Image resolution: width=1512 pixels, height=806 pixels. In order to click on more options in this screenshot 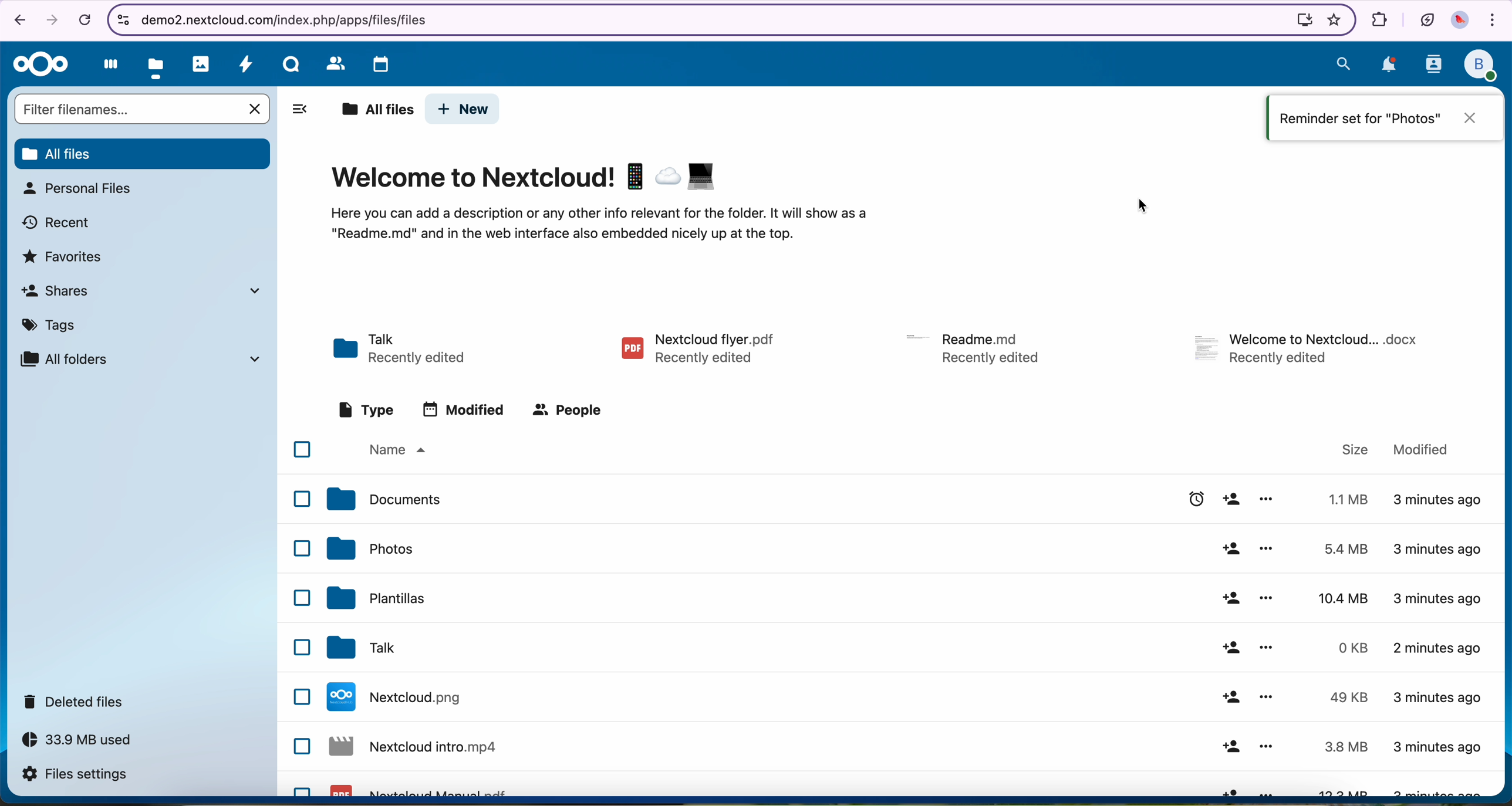, I will do `click(1266, 698)`.